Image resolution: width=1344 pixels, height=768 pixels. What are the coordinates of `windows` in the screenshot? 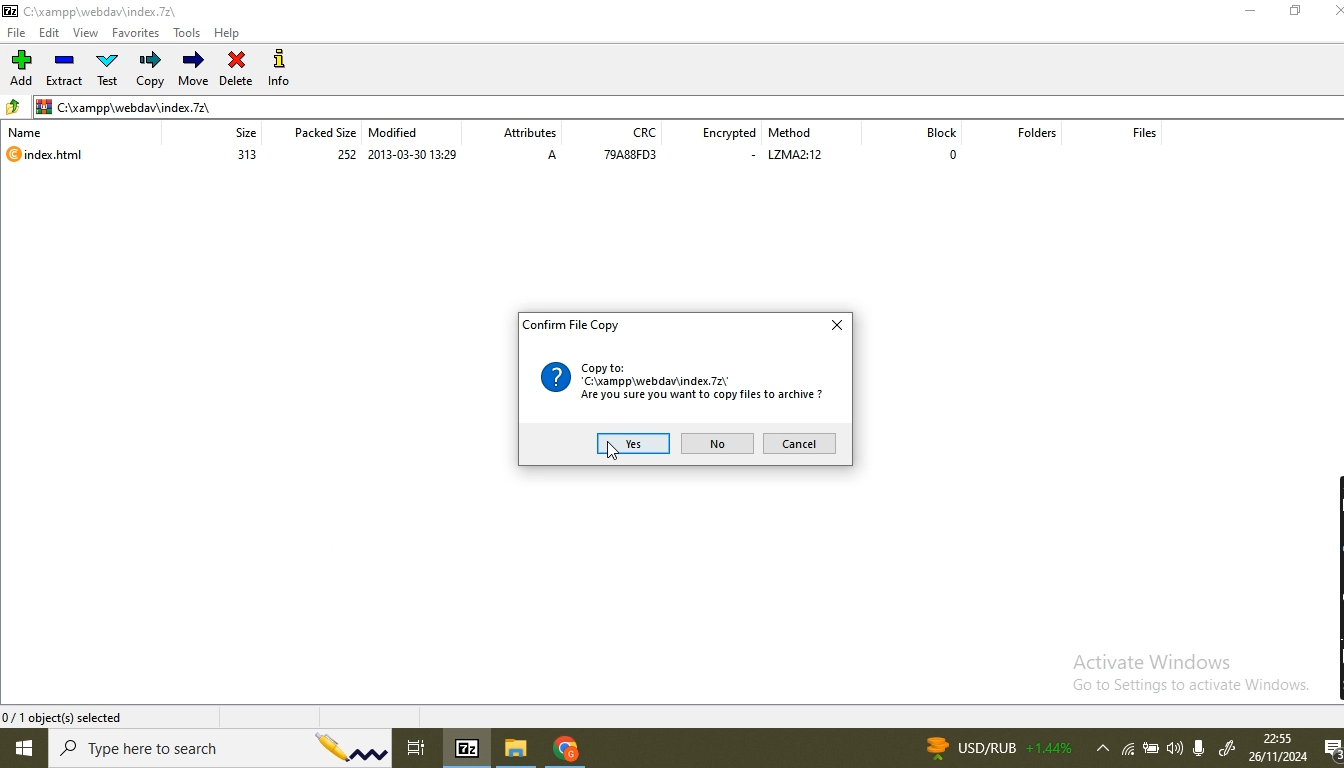 It's located at (25, 750).